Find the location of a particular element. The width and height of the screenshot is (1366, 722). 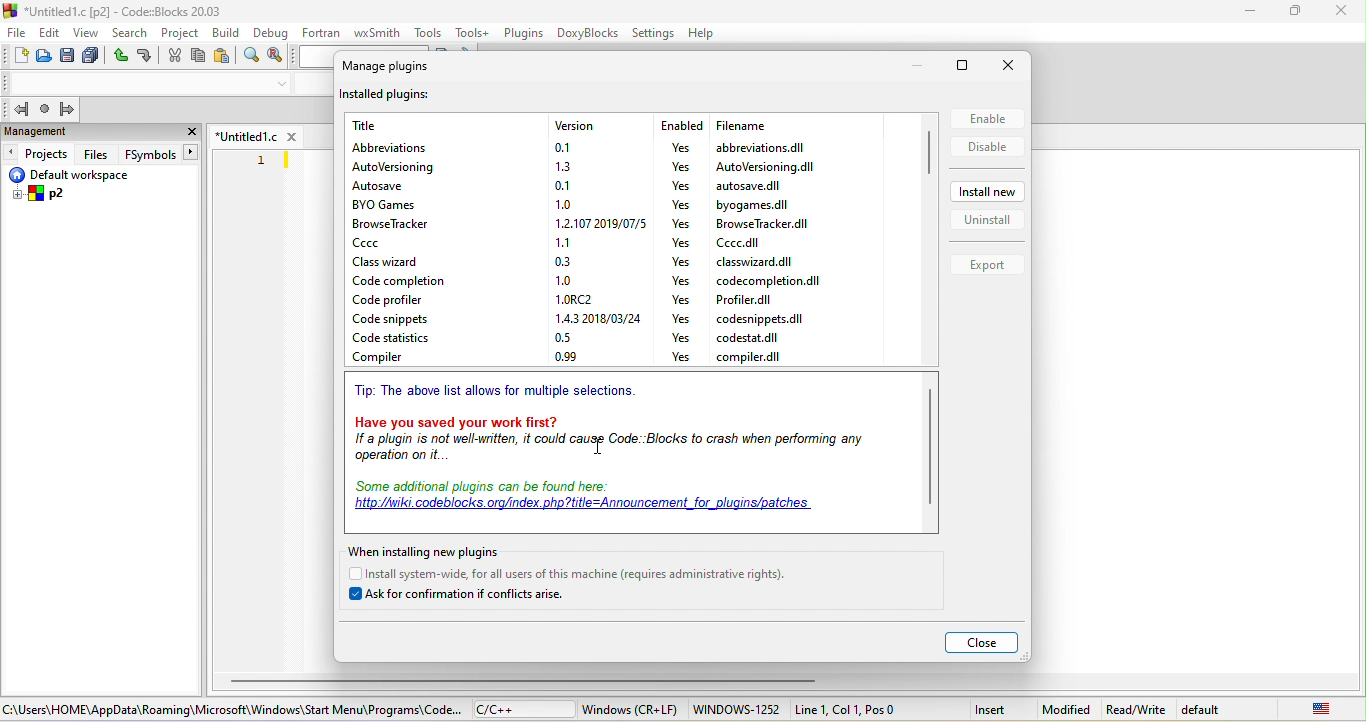

ccc is located at coordinates (397, 243).